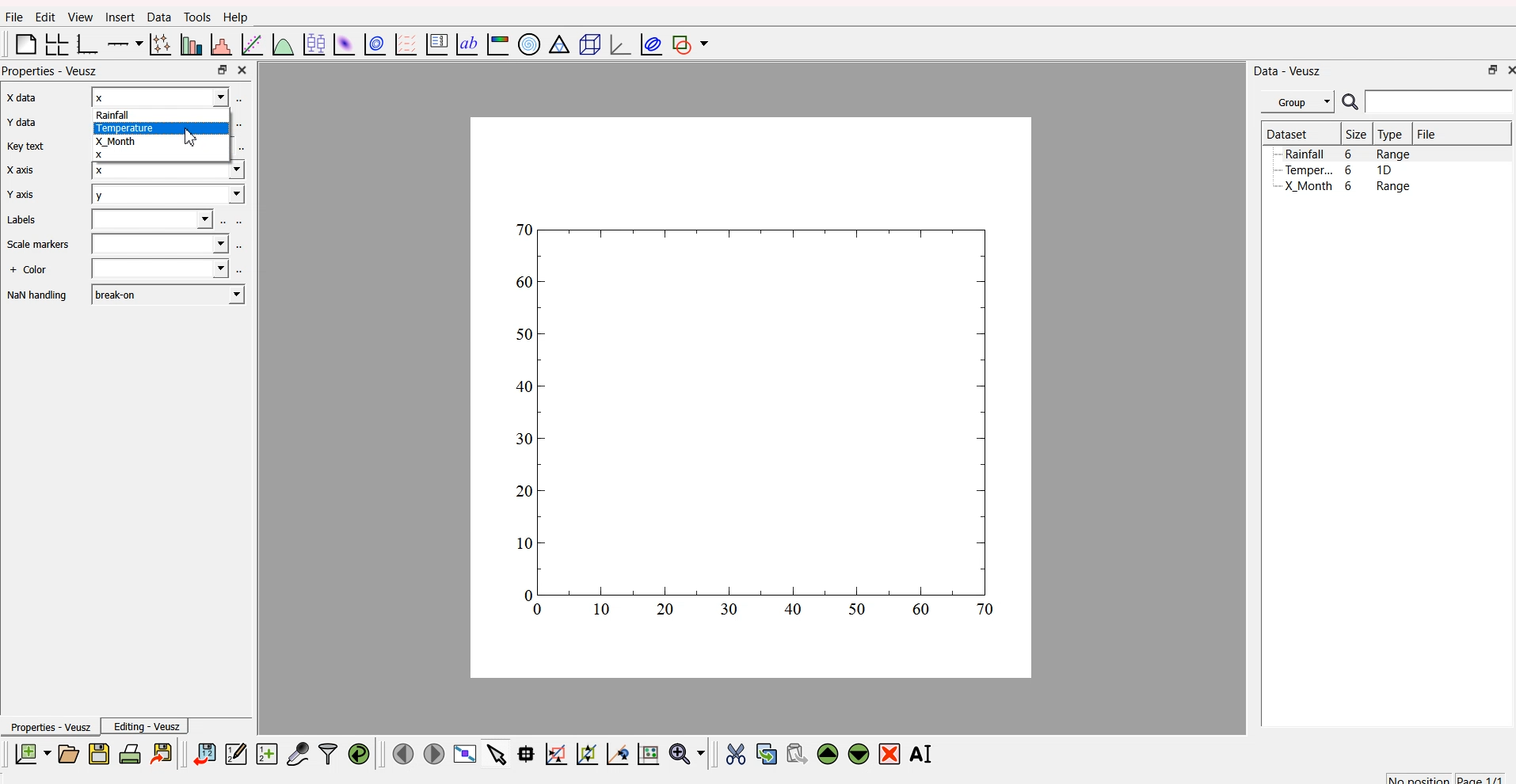 The height and width of the screenshot is (784, 1516). What do you see at coordinates (342, 44) in the screenshot?
I see `plot dataset` at bounding box center [342, 44].